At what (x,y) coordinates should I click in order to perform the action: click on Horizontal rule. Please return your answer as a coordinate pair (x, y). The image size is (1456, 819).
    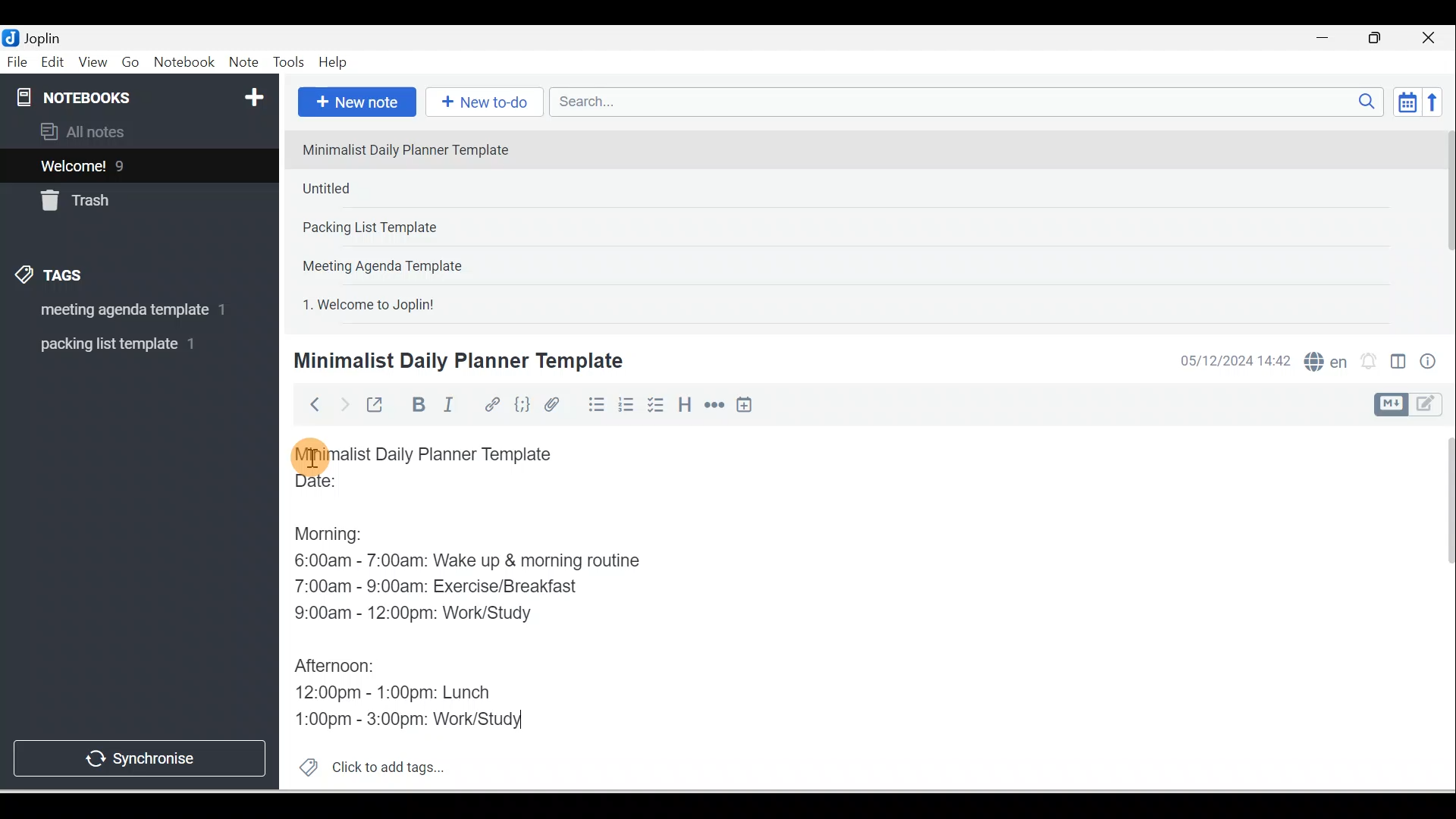
    Looking at the image, I should click on (716, 405).